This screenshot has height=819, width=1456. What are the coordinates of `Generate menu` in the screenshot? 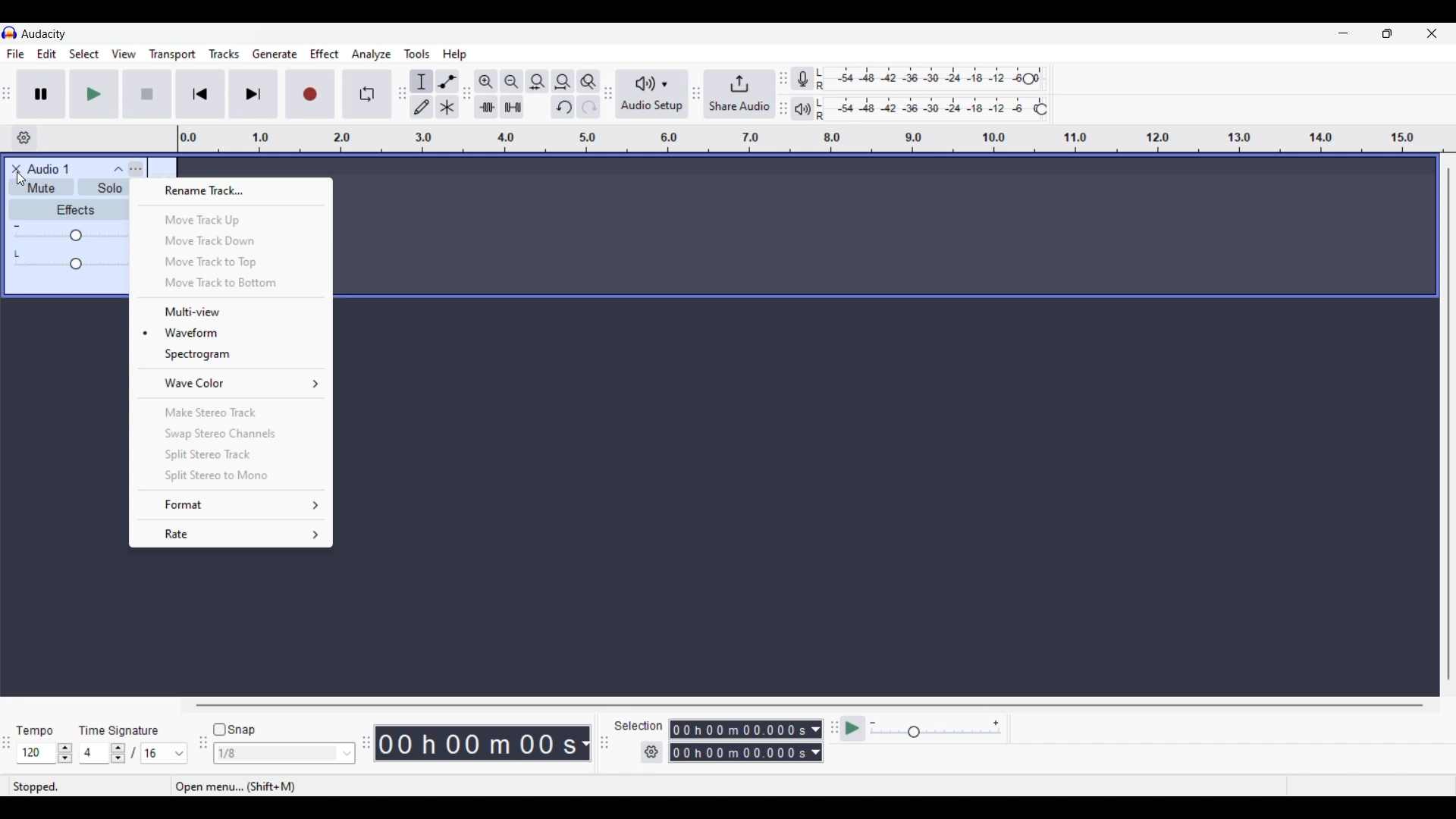 It's located at (275, 54).